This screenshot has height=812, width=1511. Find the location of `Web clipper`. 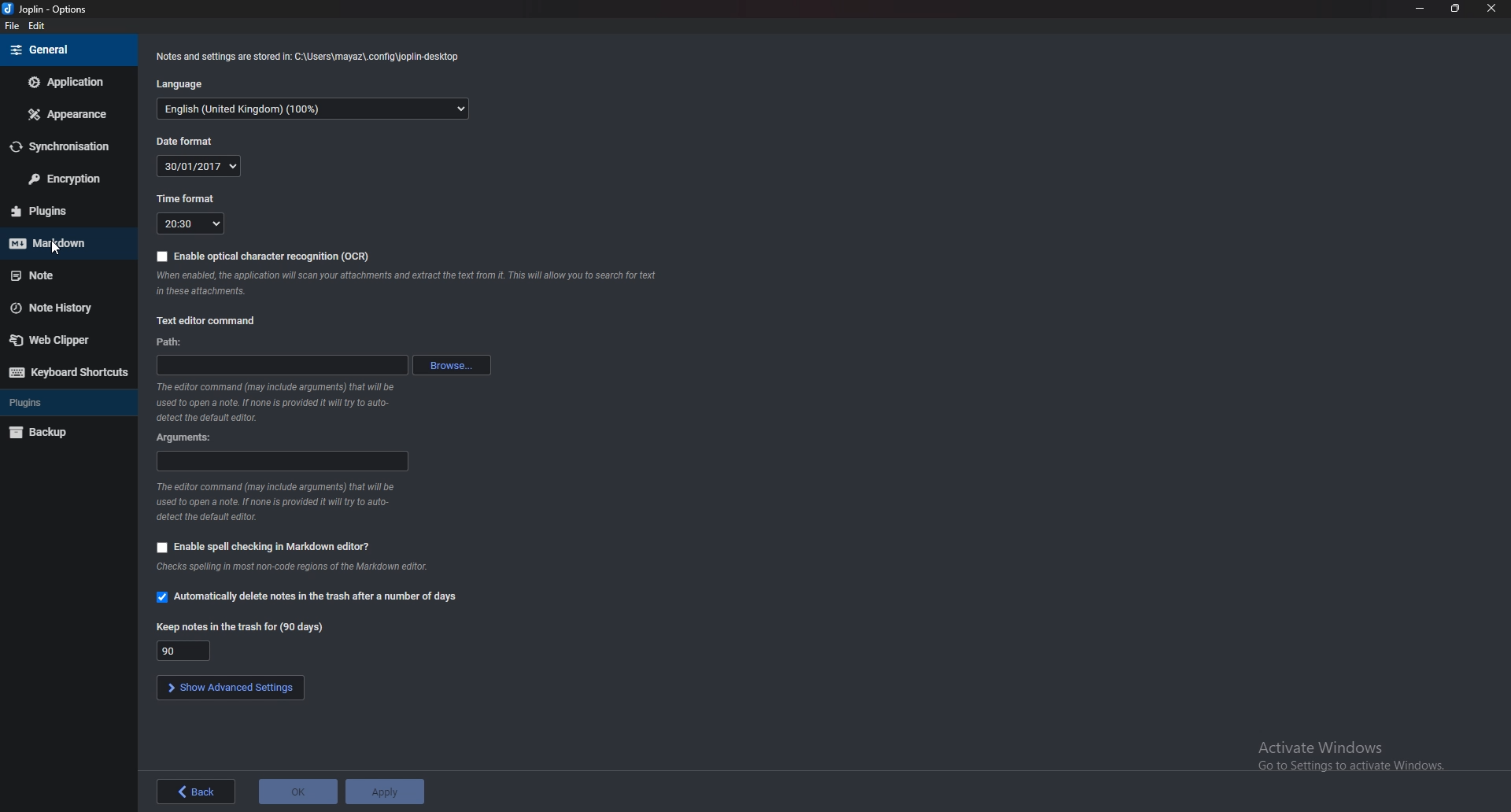

Web clipper is located at coordinates (62, 340).